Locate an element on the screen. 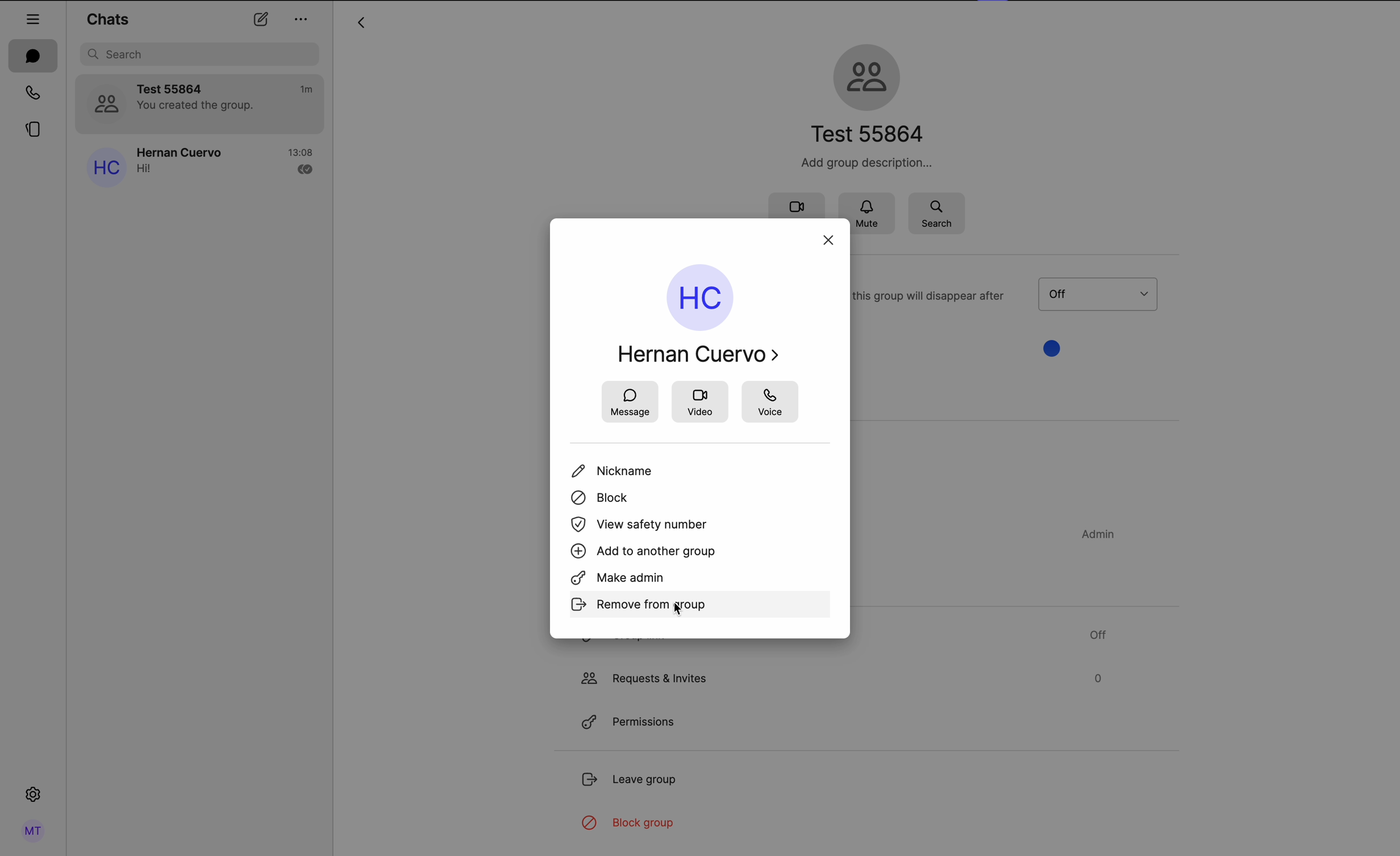  search bar is located at coordinates (202, 54).